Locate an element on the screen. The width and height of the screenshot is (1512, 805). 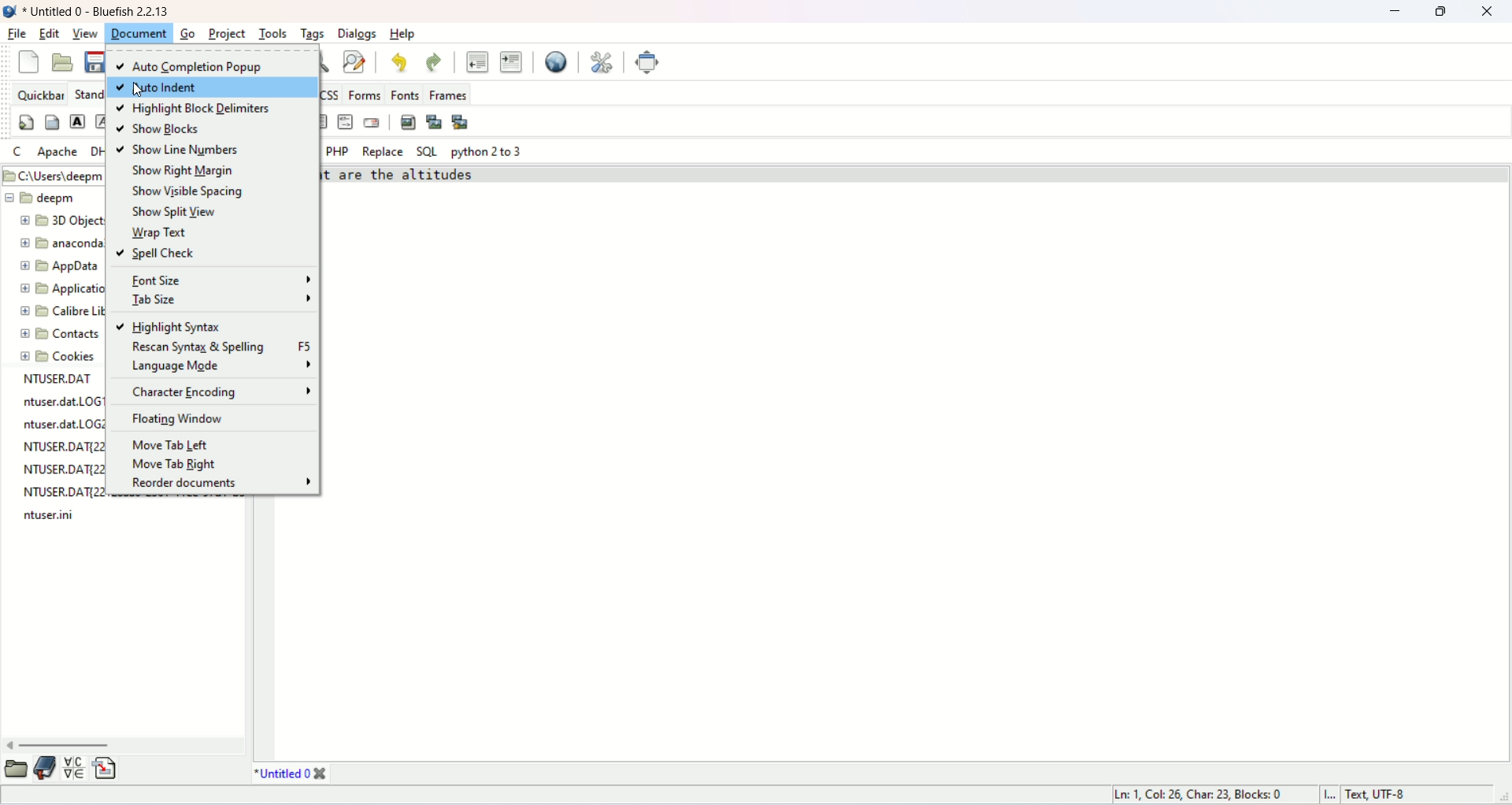
frames is located at coordinates (447, 92).